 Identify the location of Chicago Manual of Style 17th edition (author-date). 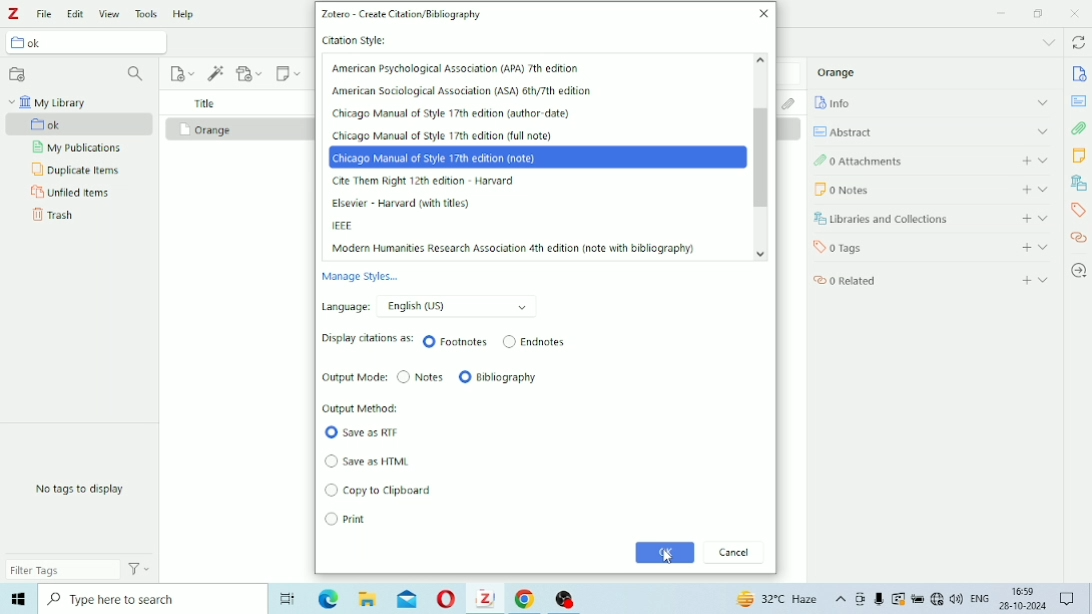
(456, 114).